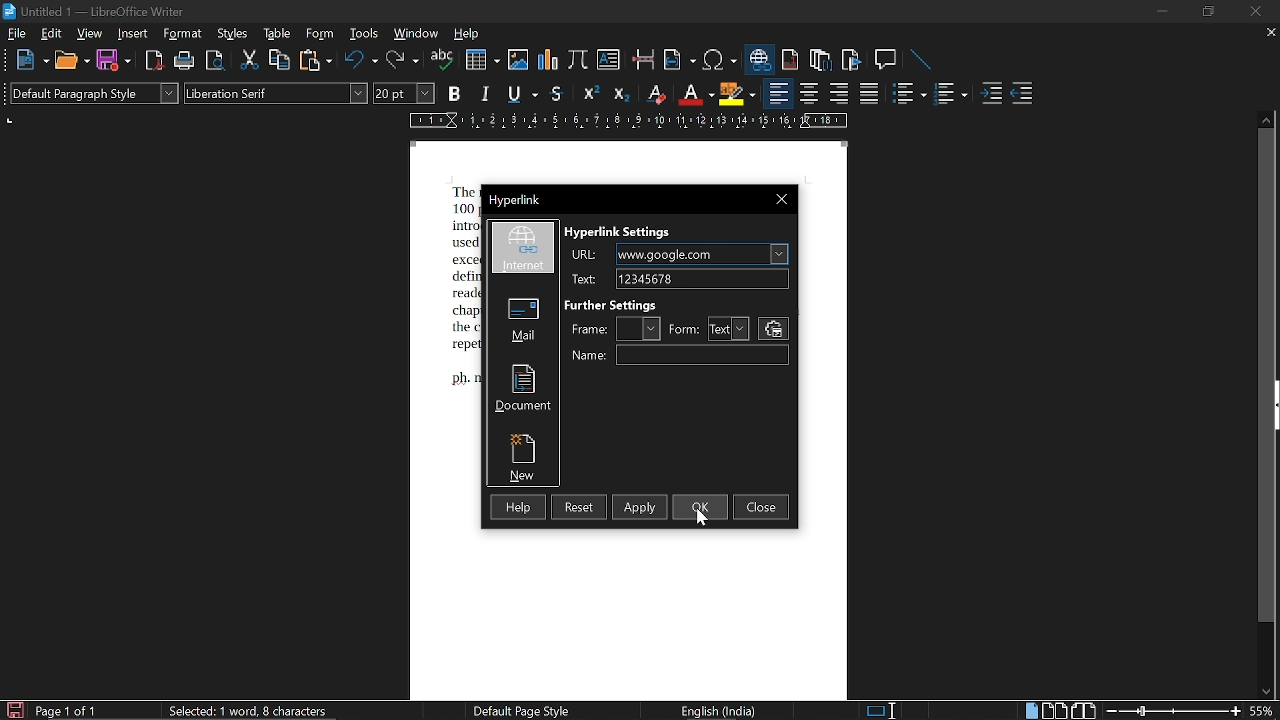 The width and height of the screenshot is (1280, 720). I want to click on insert, so click(130, 34).